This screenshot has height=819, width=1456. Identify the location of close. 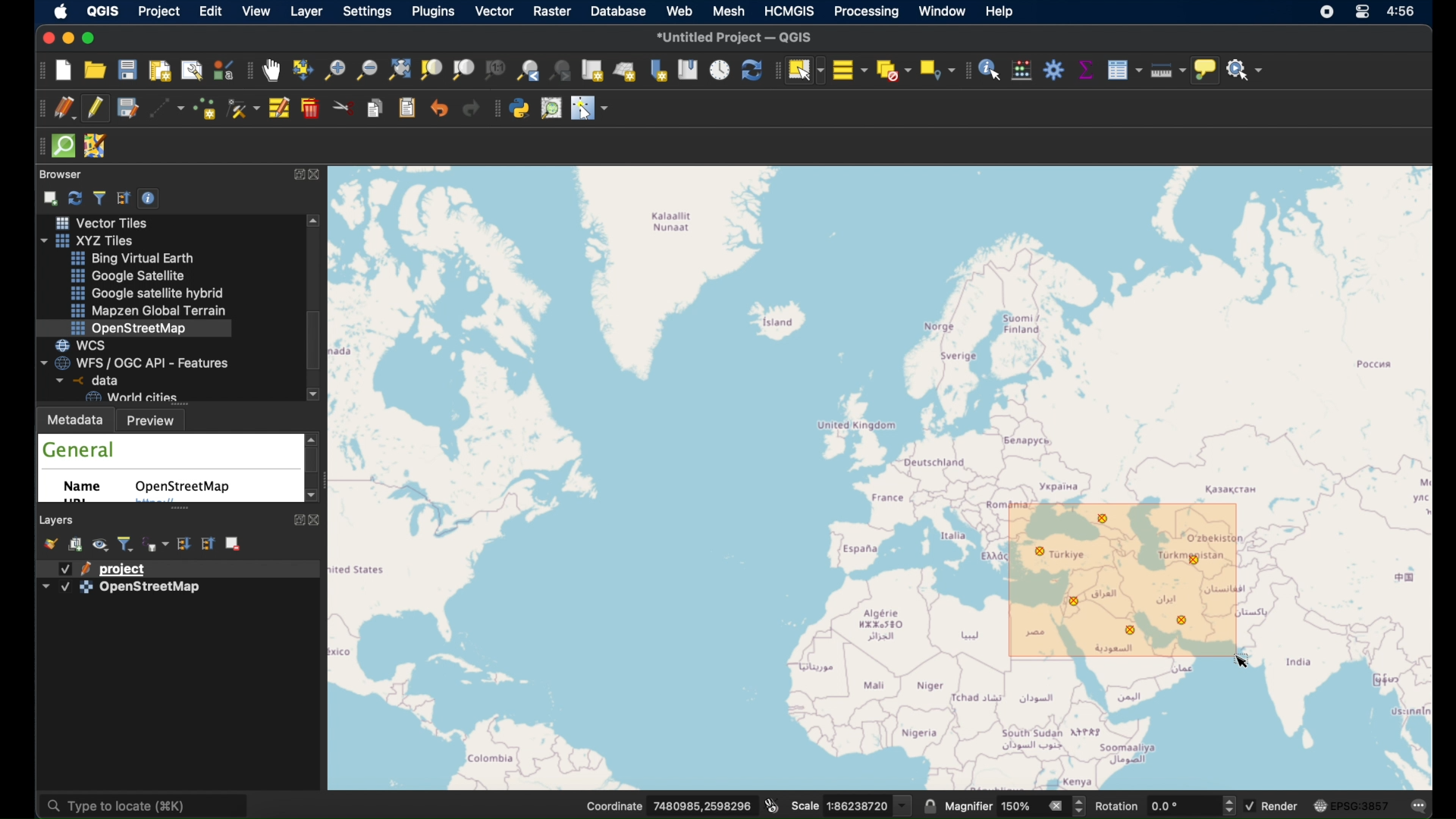
(45, 37).